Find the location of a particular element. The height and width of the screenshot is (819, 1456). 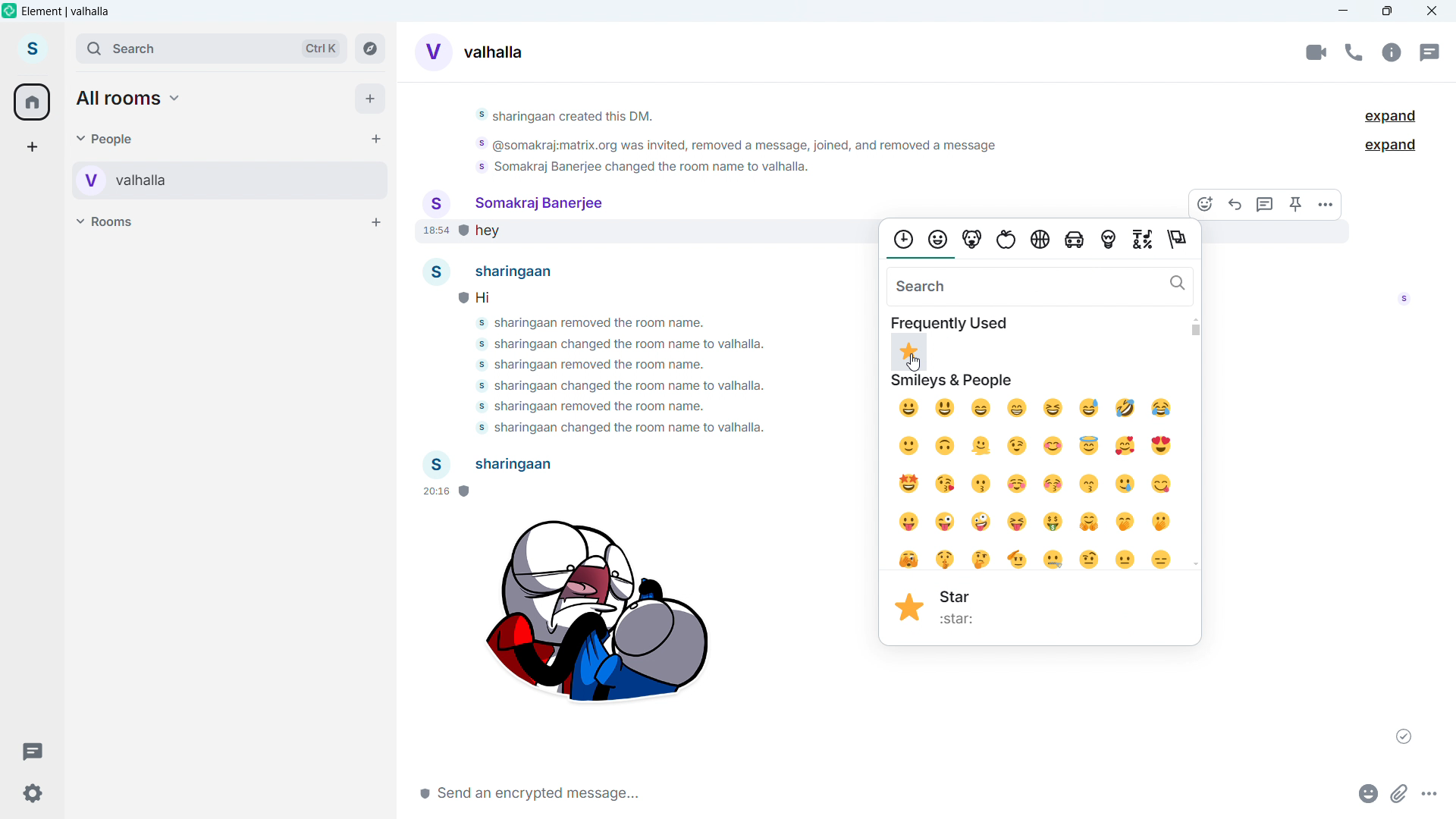

Add room  is located at coordinates (375, 221).